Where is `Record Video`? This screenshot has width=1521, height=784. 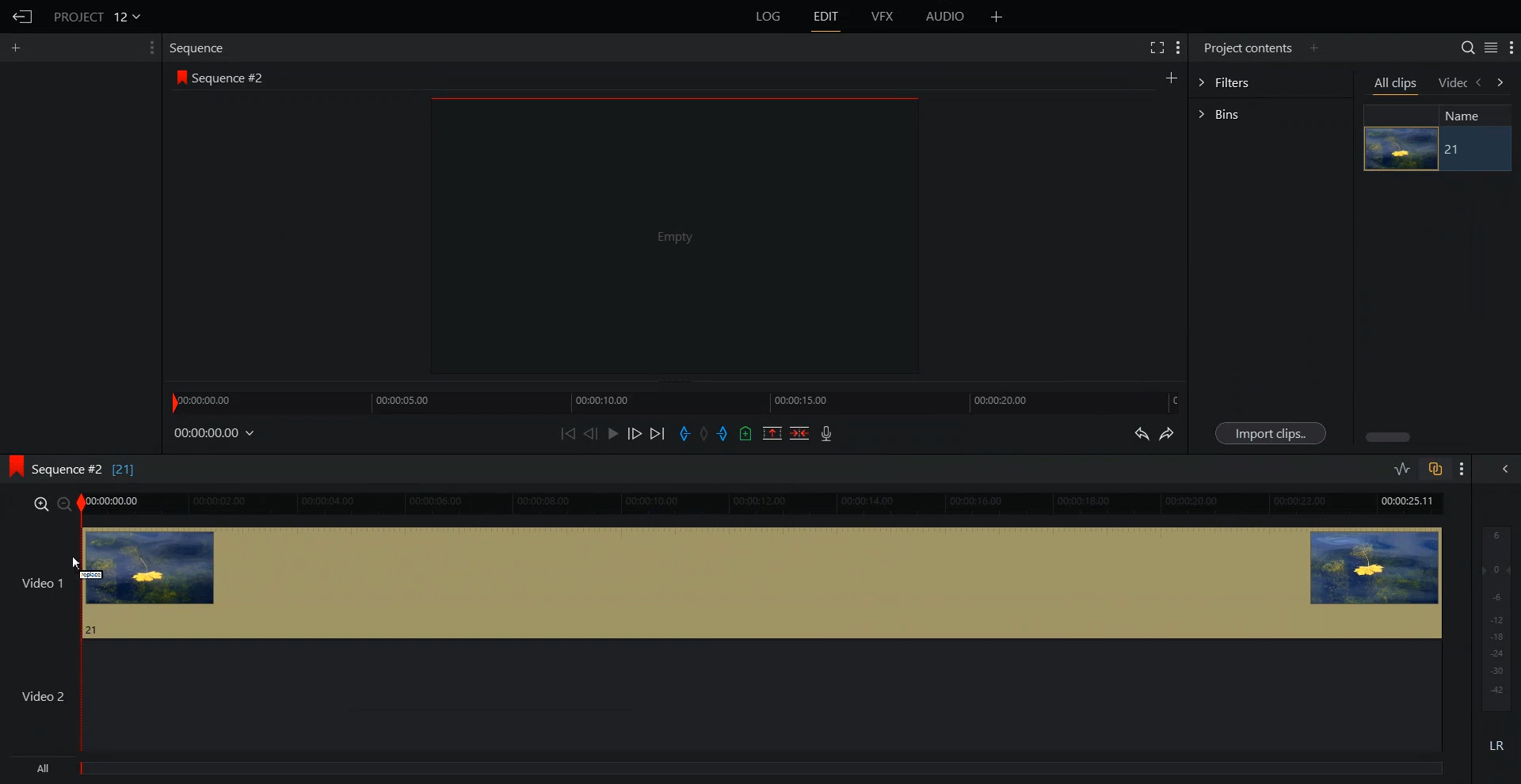
Record Video is located at coordinates (827, 433).